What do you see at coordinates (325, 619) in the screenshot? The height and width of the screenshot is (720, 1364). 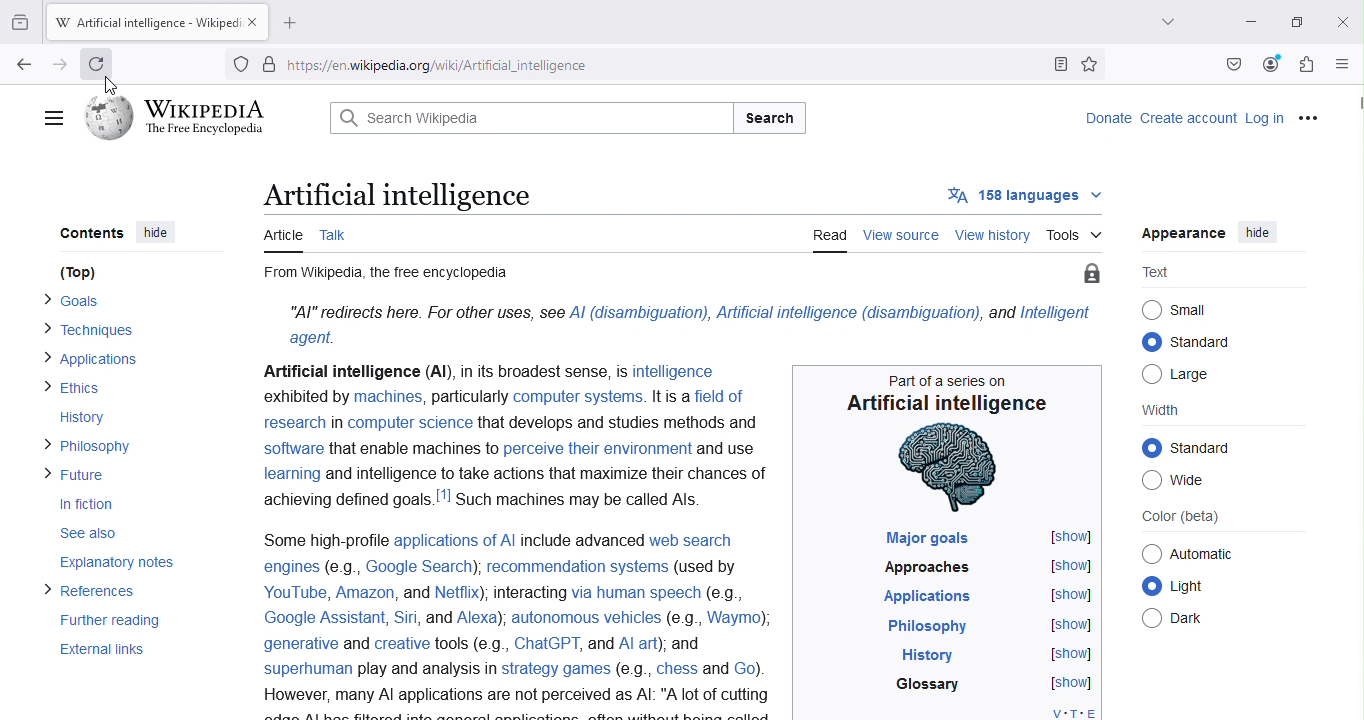 I see `Google Assistant` at bounding box center [325, 619].